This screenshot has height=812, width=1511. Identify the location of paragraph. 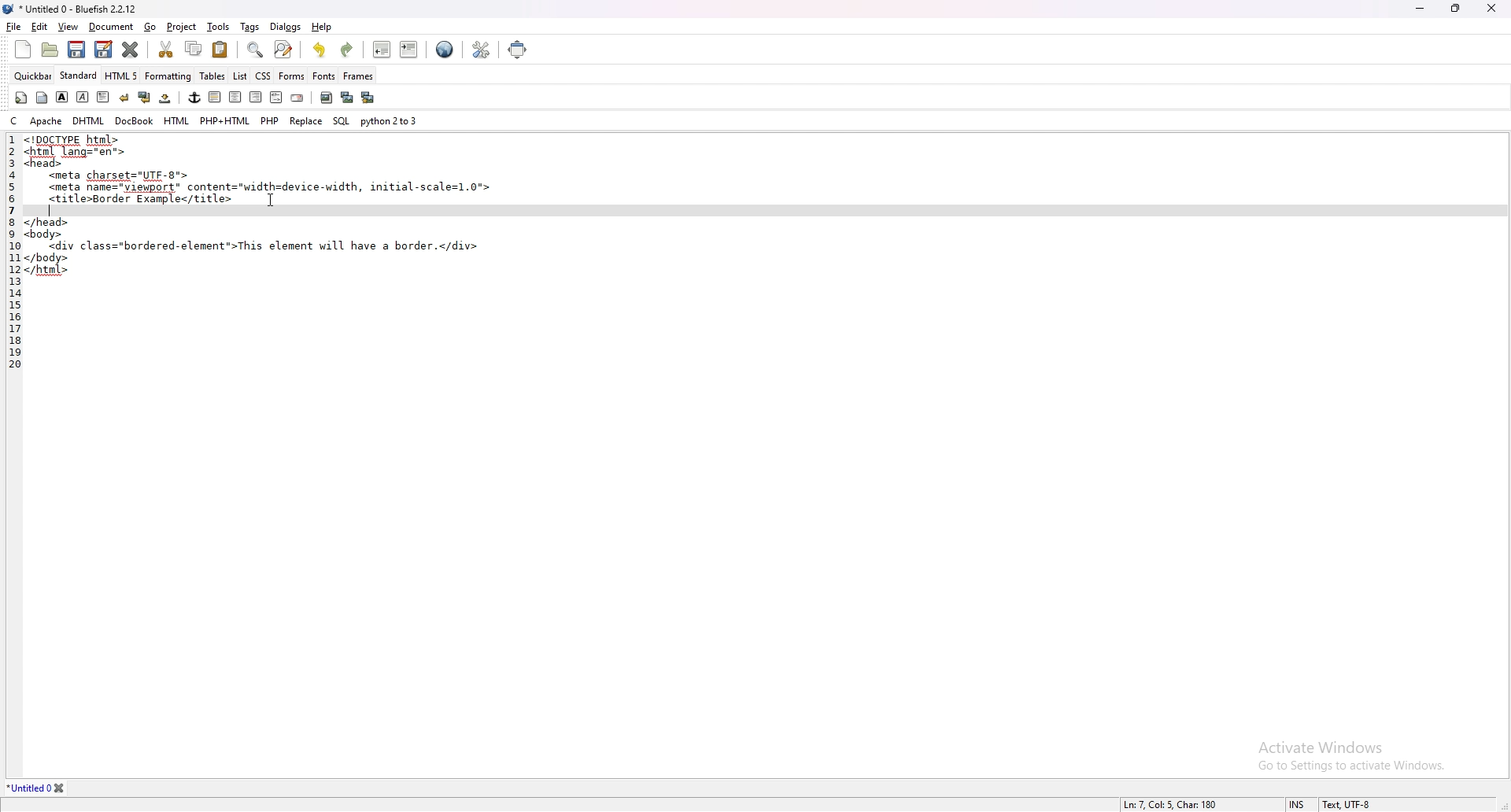
(104, 97).